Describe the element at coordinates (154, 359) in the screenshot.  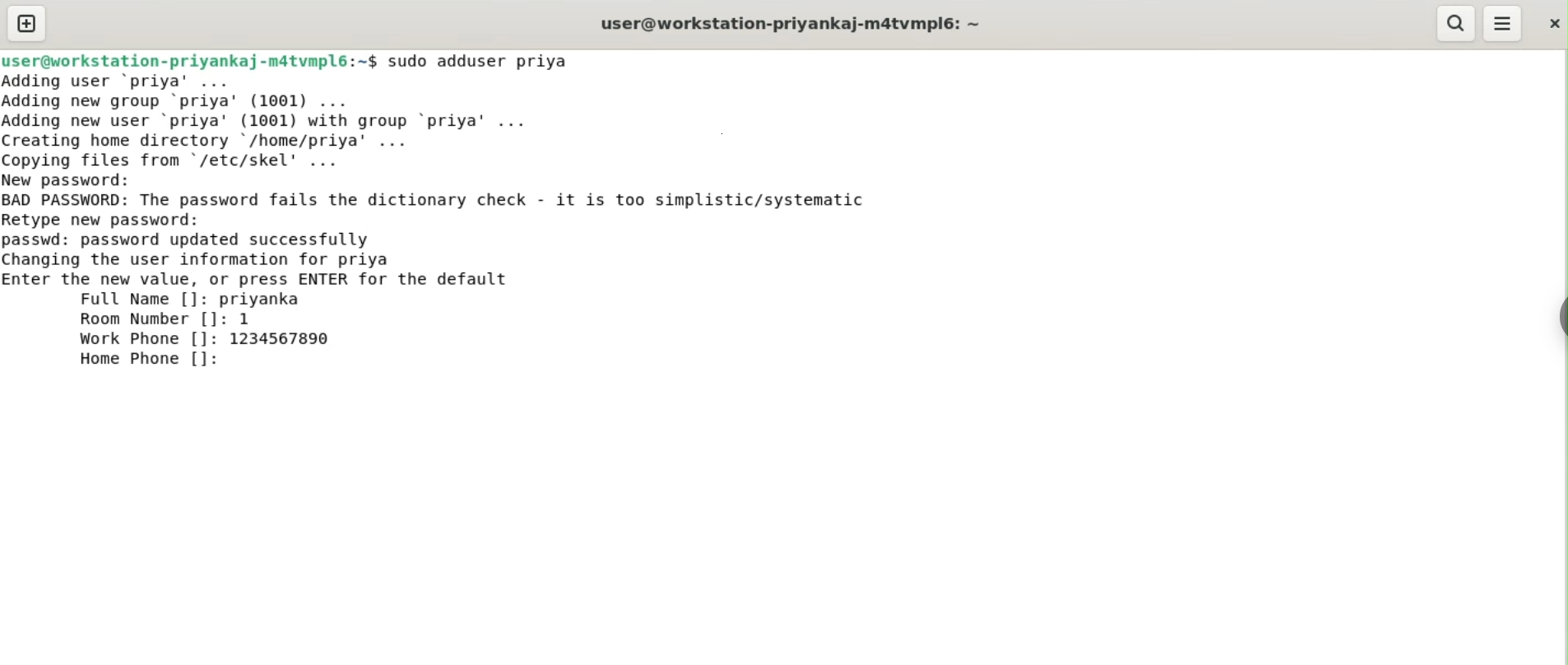
I see `Home Phone []:` at that location.